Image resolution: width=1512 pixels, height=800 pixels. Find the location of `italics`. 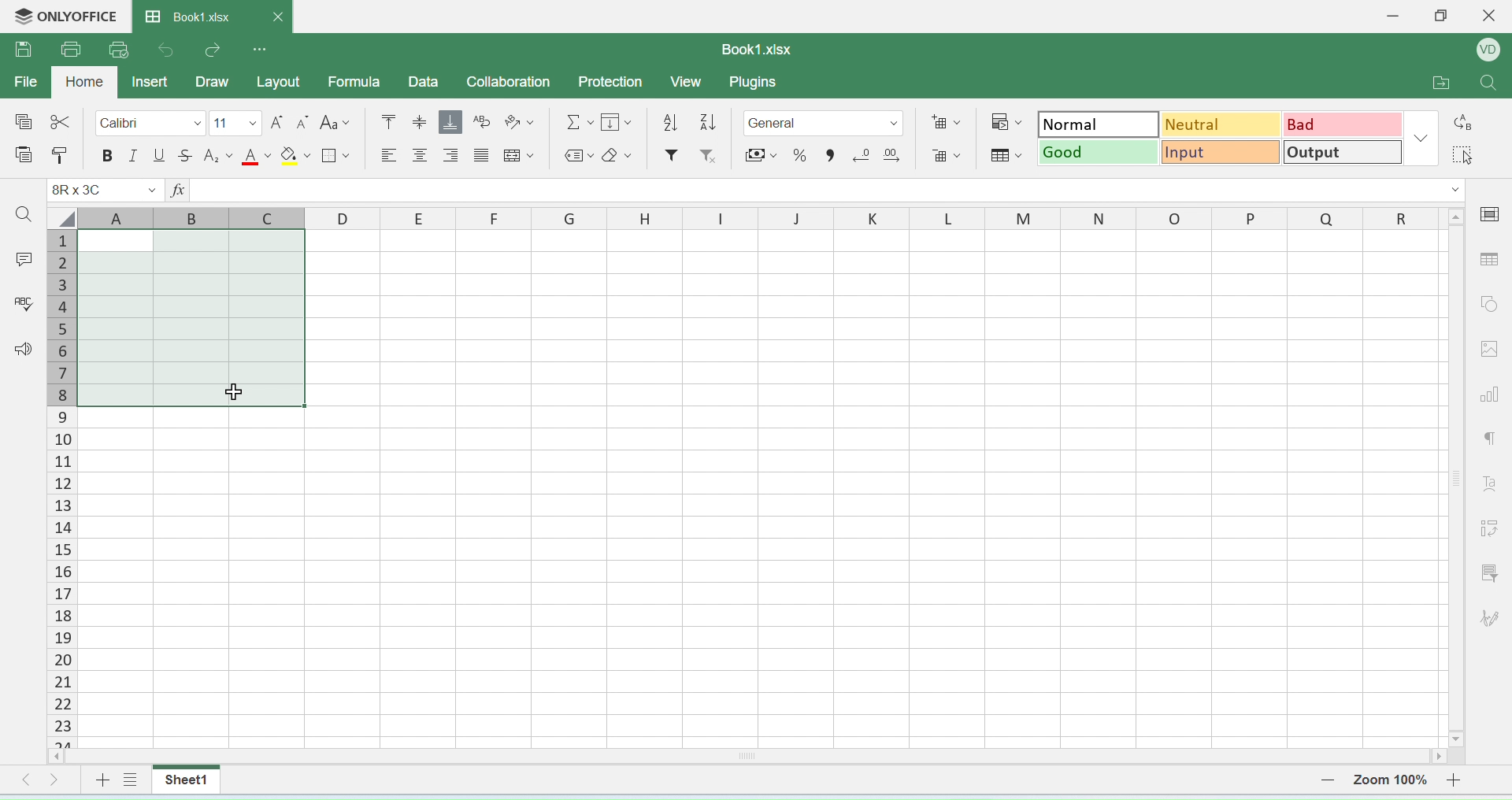

italics is located at coordinates (134, 156).